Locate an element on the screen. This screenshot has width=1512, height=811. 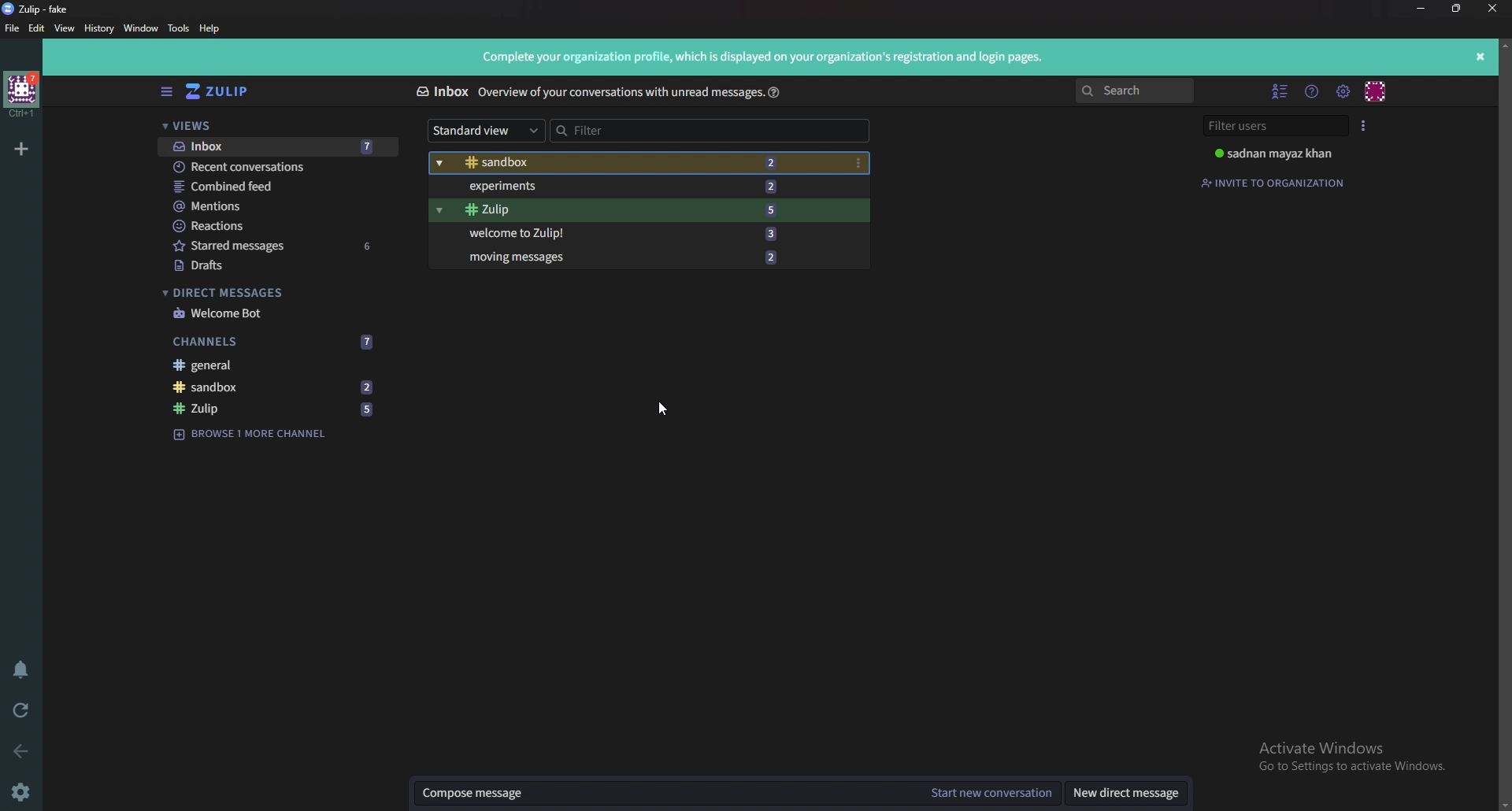
view is located at coordinates (63, 29).